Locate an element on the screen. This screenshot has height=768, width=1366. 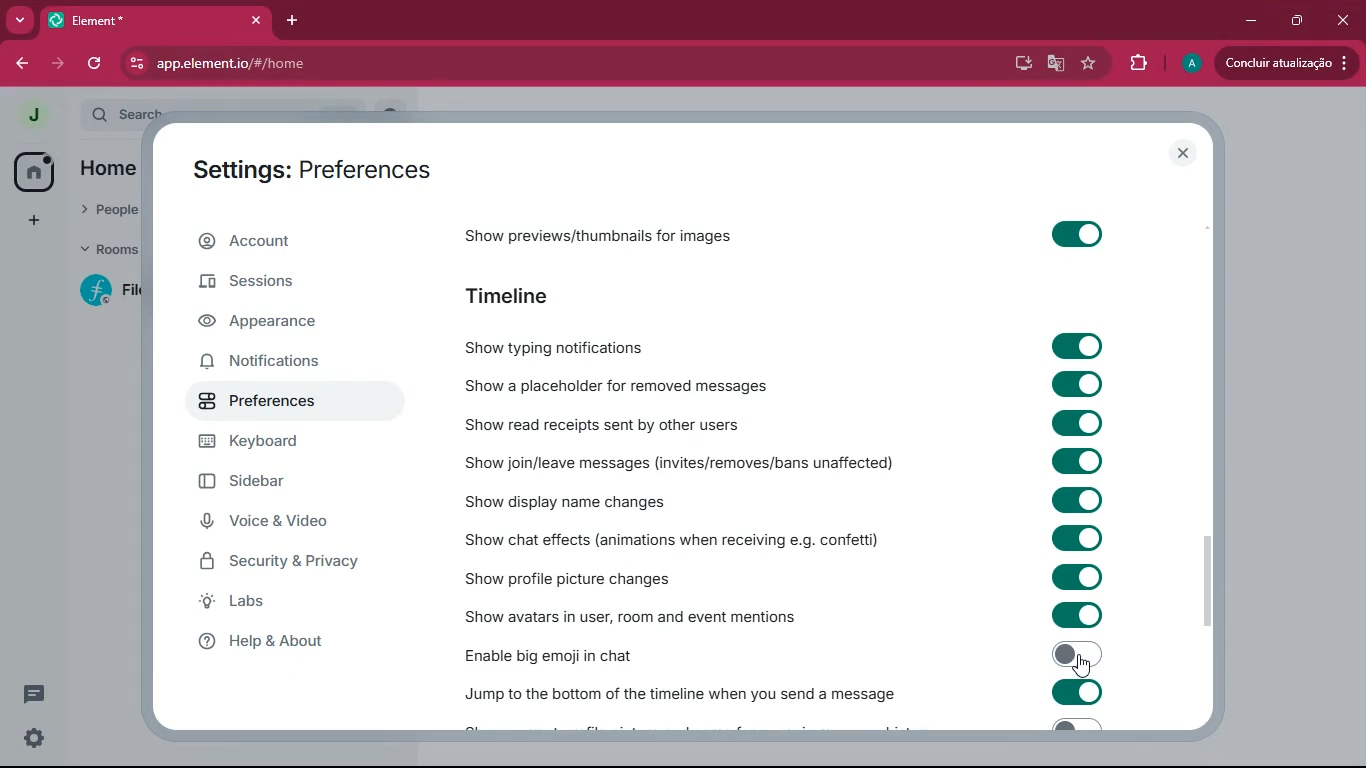
toggle on  is located at coordinates (1077, 575).